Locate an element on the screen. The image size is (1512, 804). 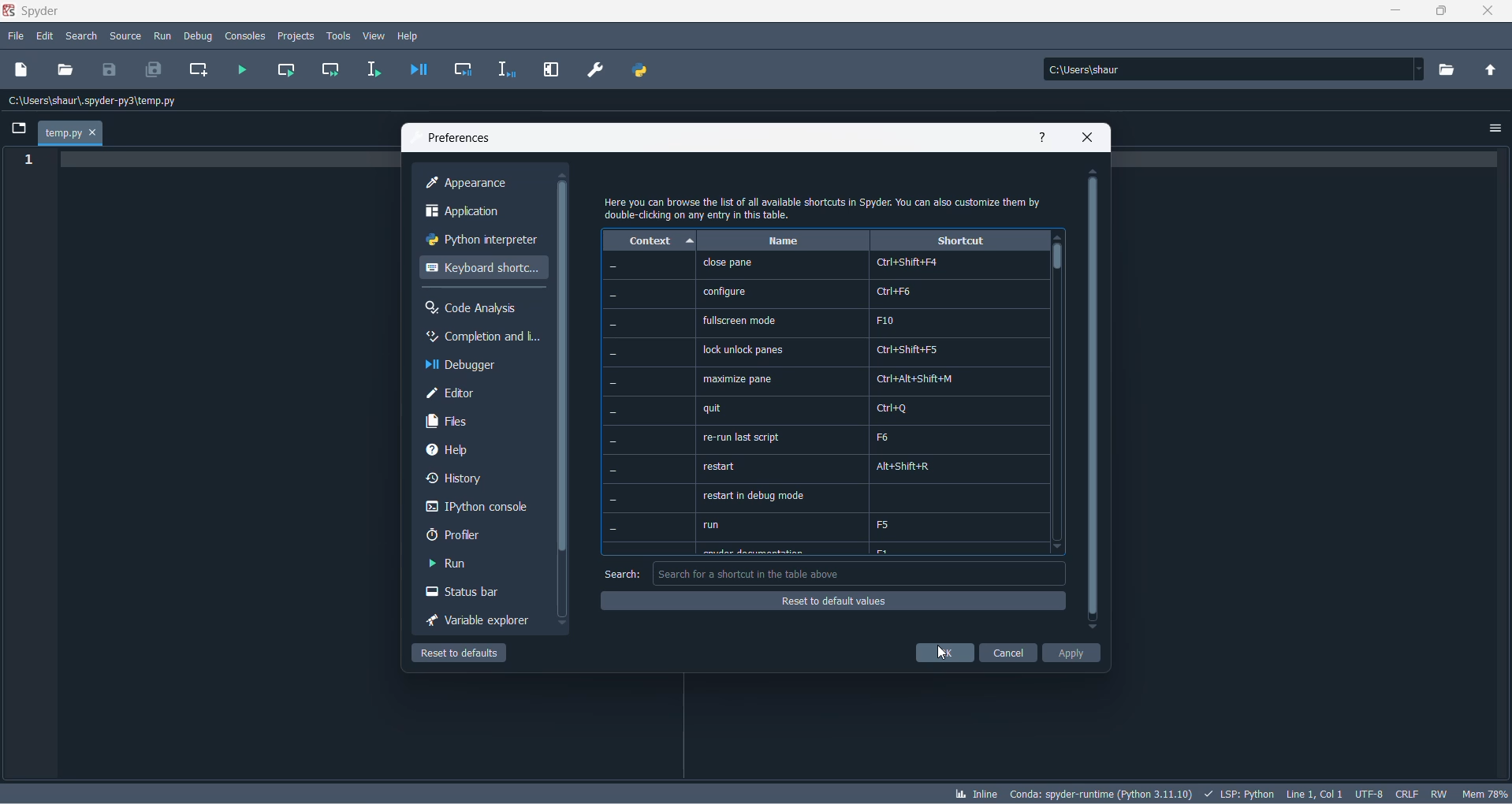
status bar is located at coordinates (472, 594).